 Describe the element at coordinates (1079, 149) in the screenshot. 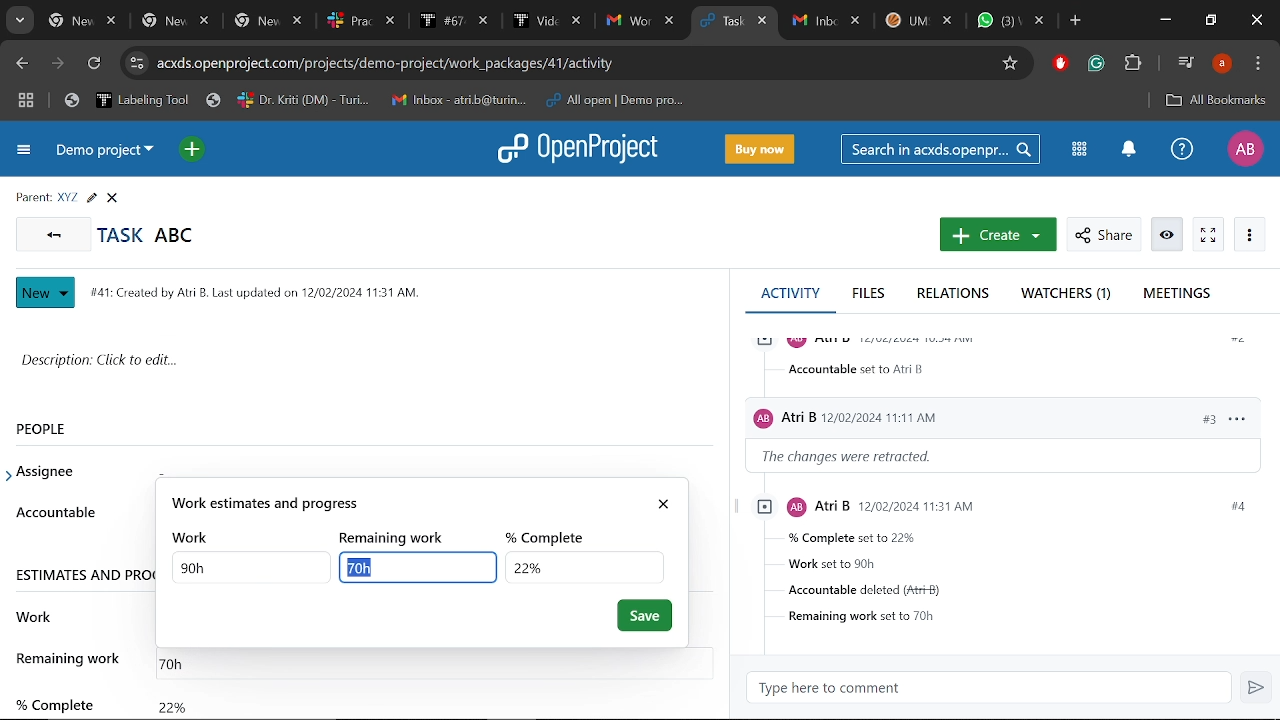

I see `Modules` at that location.